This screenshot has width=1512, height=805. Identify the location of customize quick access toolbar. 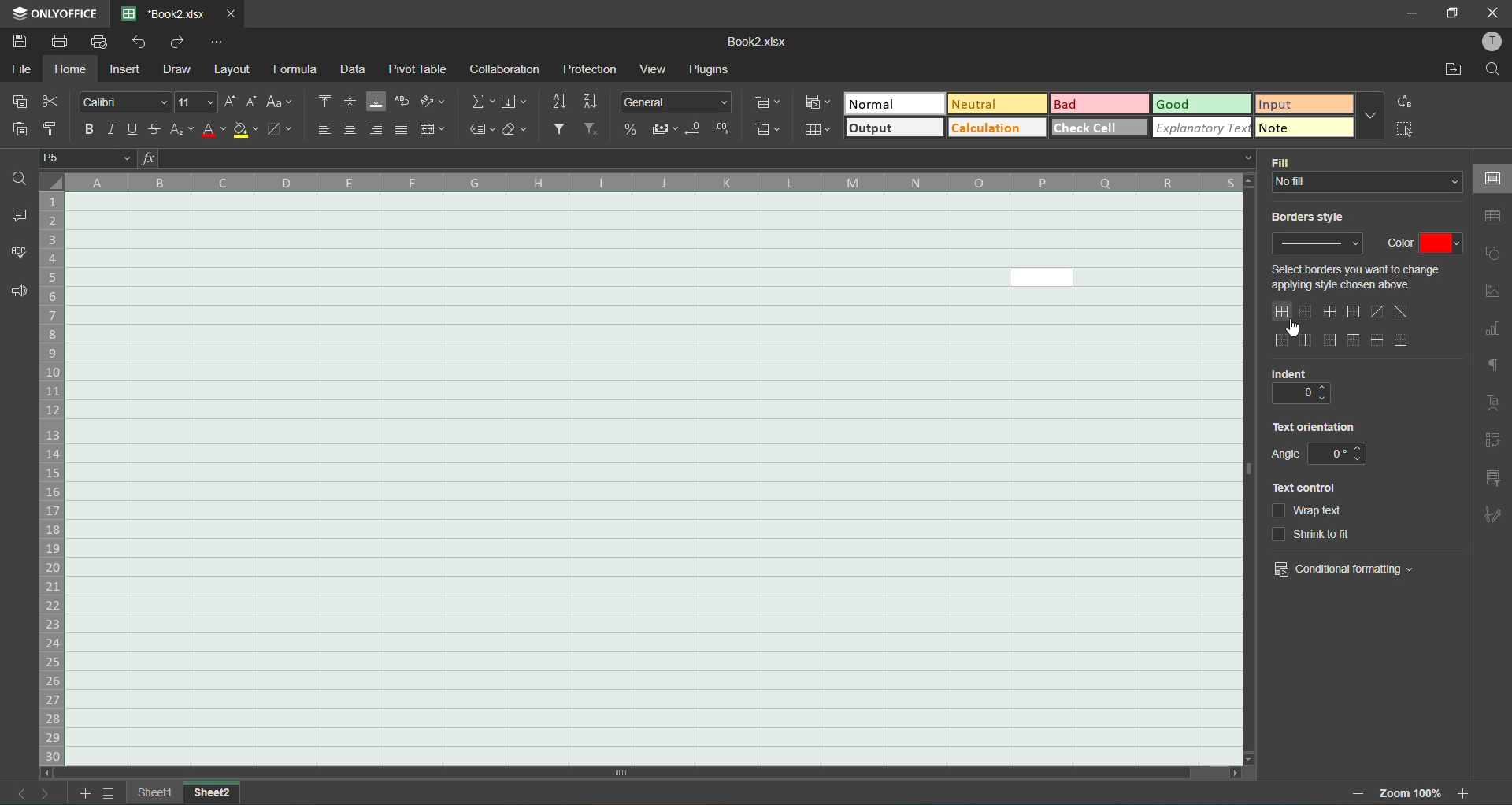
(218, 43).